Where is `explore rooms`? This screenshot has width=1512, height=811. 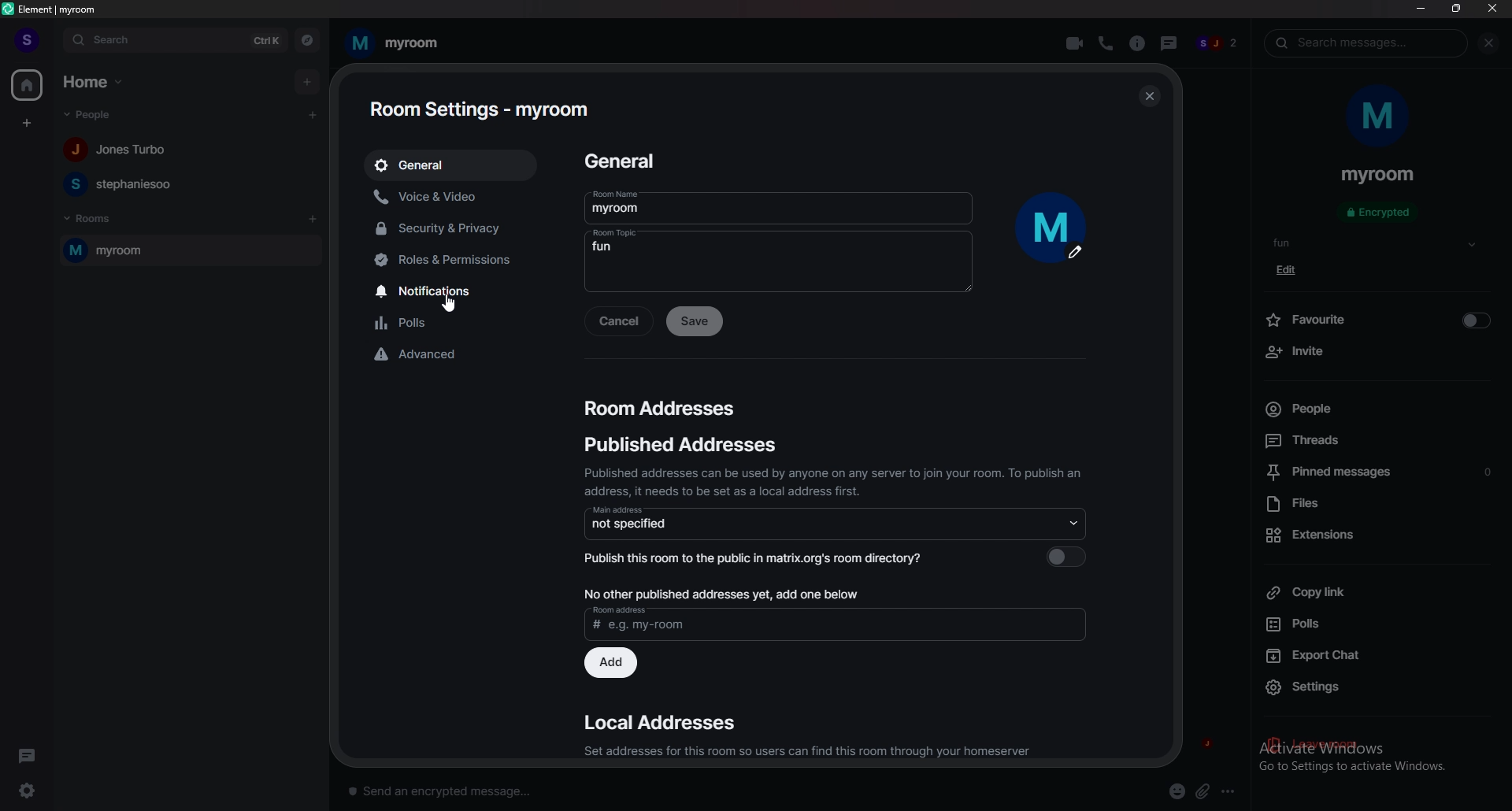
explore rooms is located at coordinates (307, 39).